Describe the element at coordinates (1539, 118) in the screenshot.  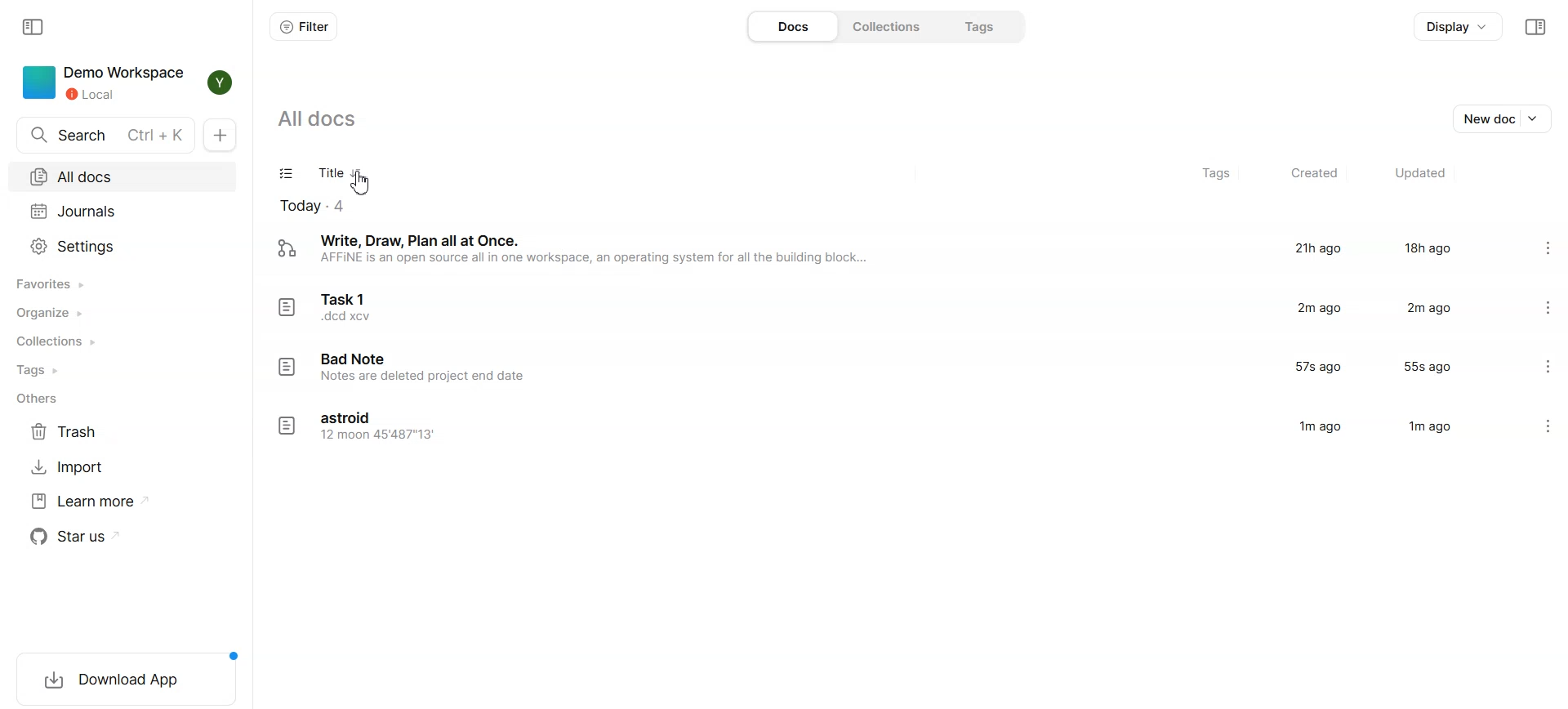
I see `Dropdown` at that location.